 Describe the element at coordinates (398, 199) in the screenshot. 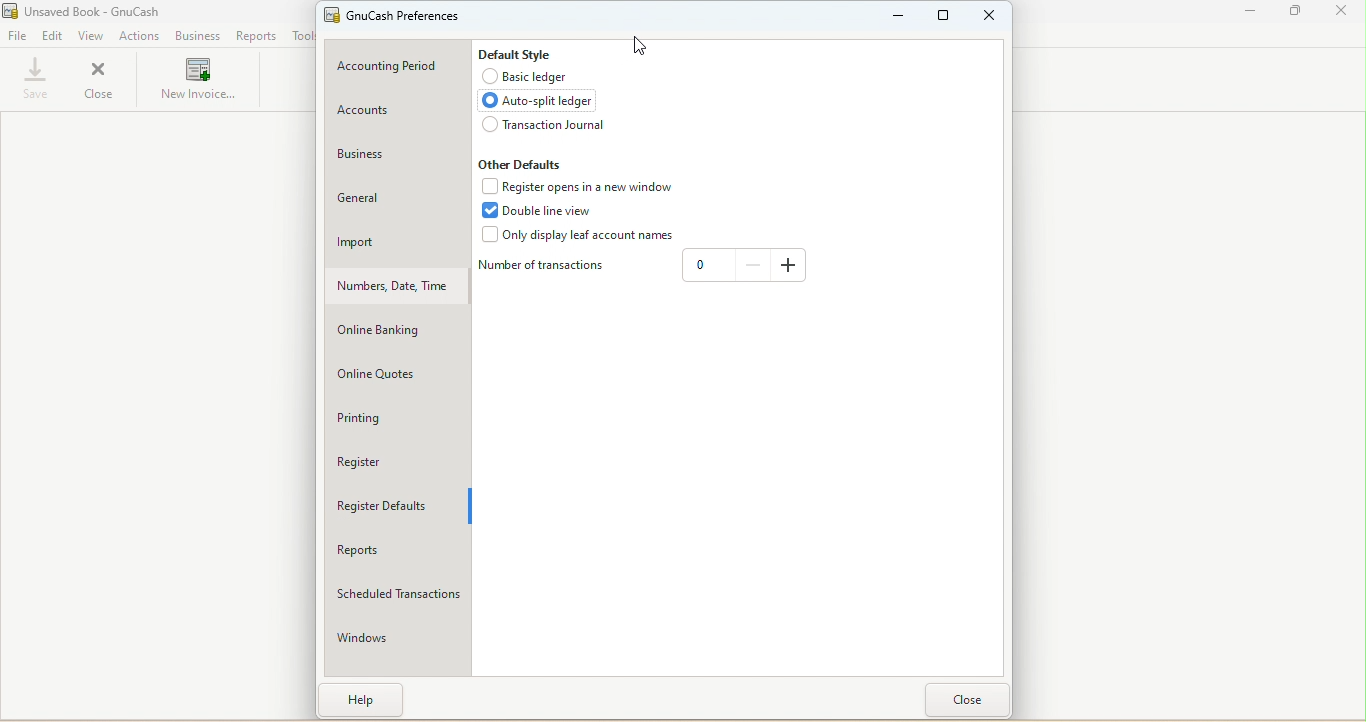

I see `General` at that location.